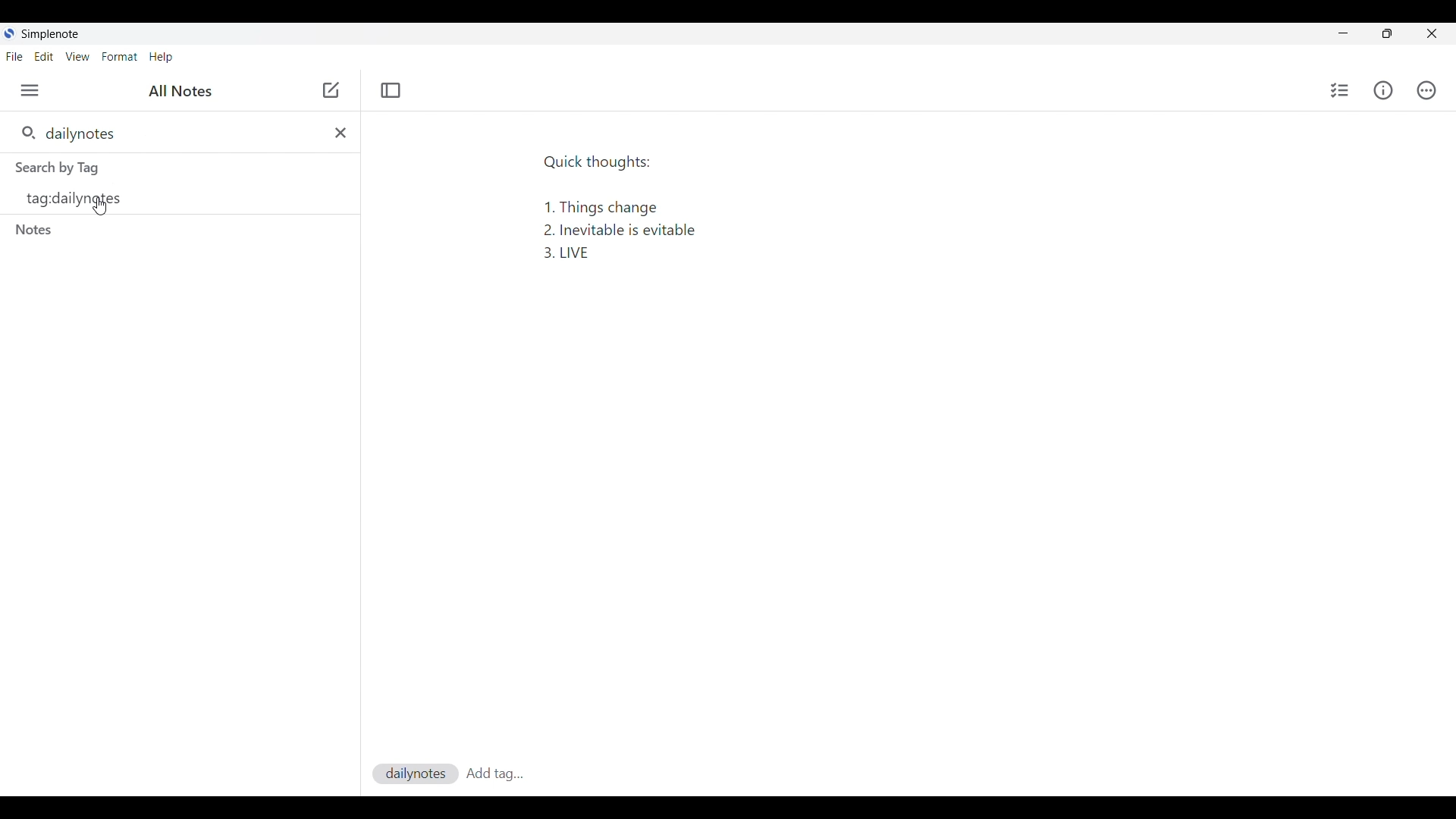  What do you see at coordinates (1382, 91) in the screenshot?
I see `Info` at bounding box center [1382, 91].